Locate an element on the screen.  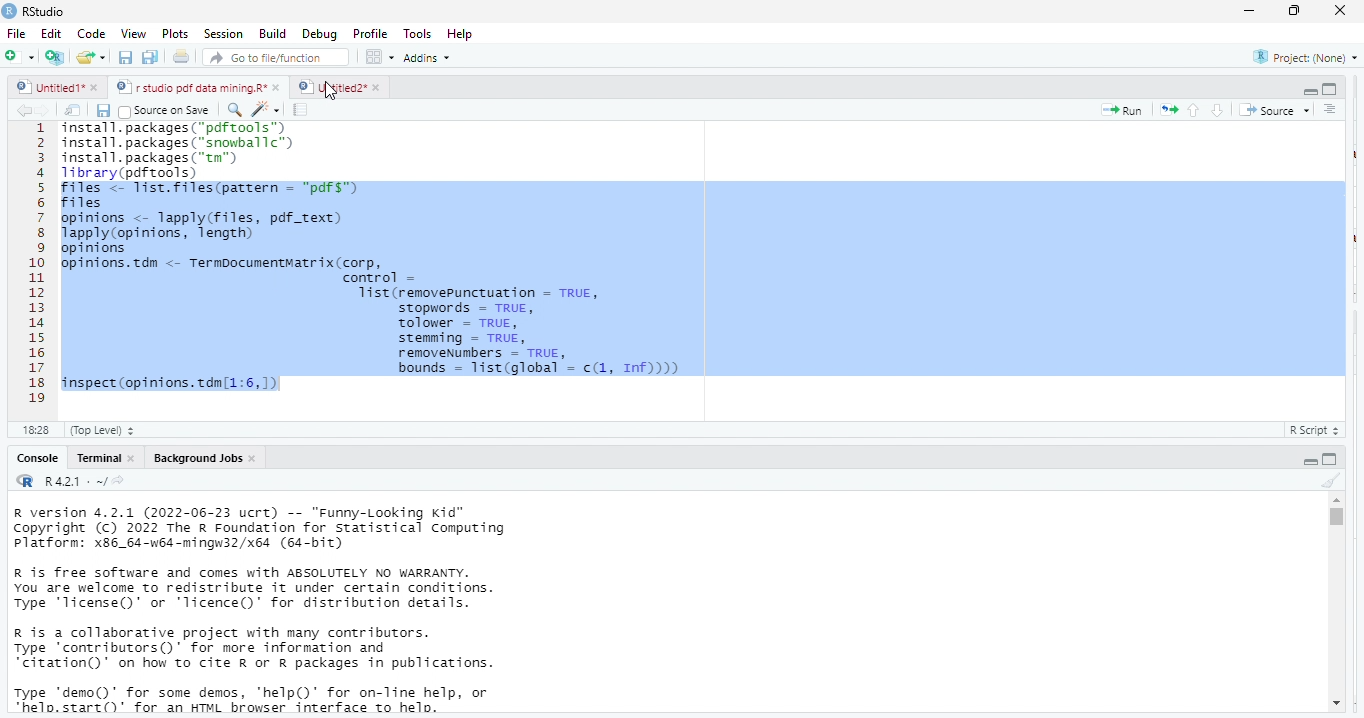
help is located at coordinates (467, 33).